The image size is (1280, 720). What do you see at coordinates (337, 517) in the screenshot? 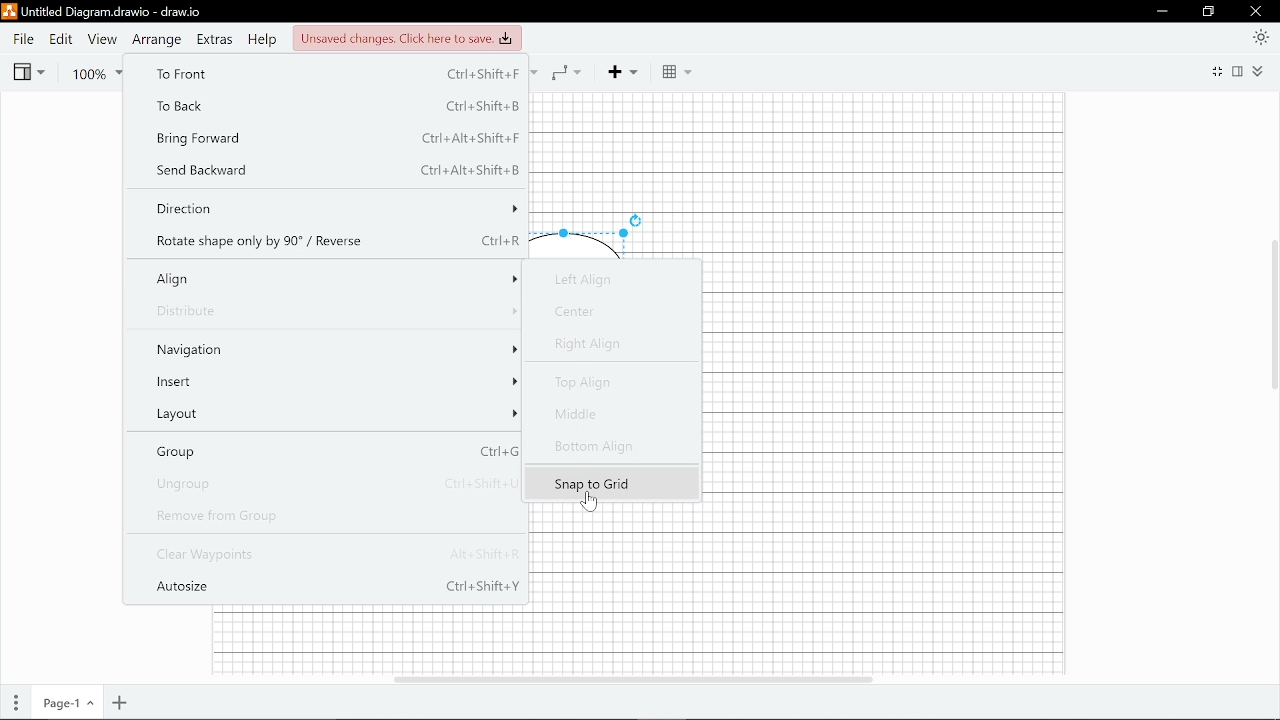
I see `Remove from group` at bounding box center [337, 517].